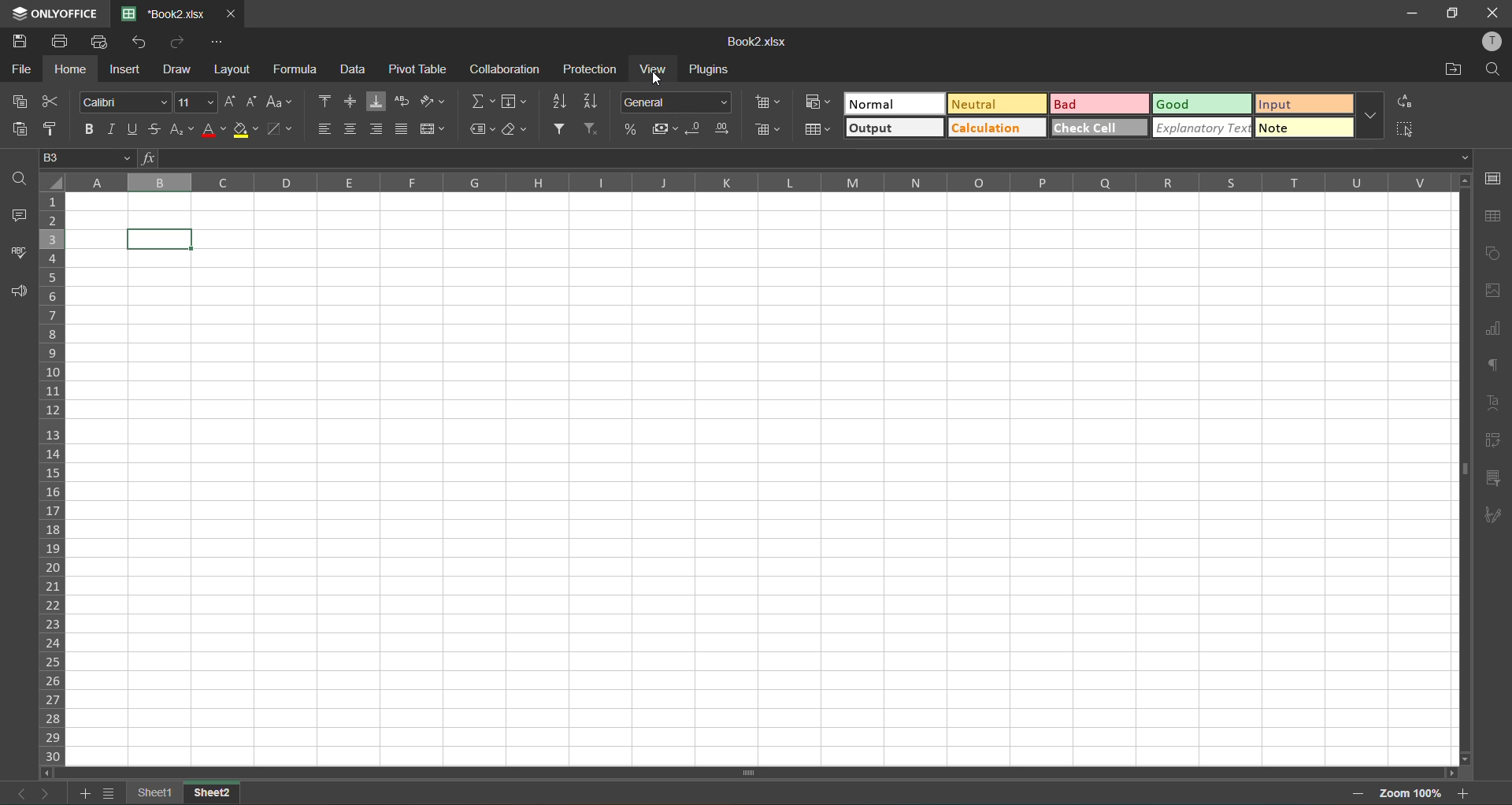 The height and width of the screenshot is (805, 1512). What do you see at coordinates (769, 128) in the screenshot?
I see `delete cells` at bounding box center [769, 128].